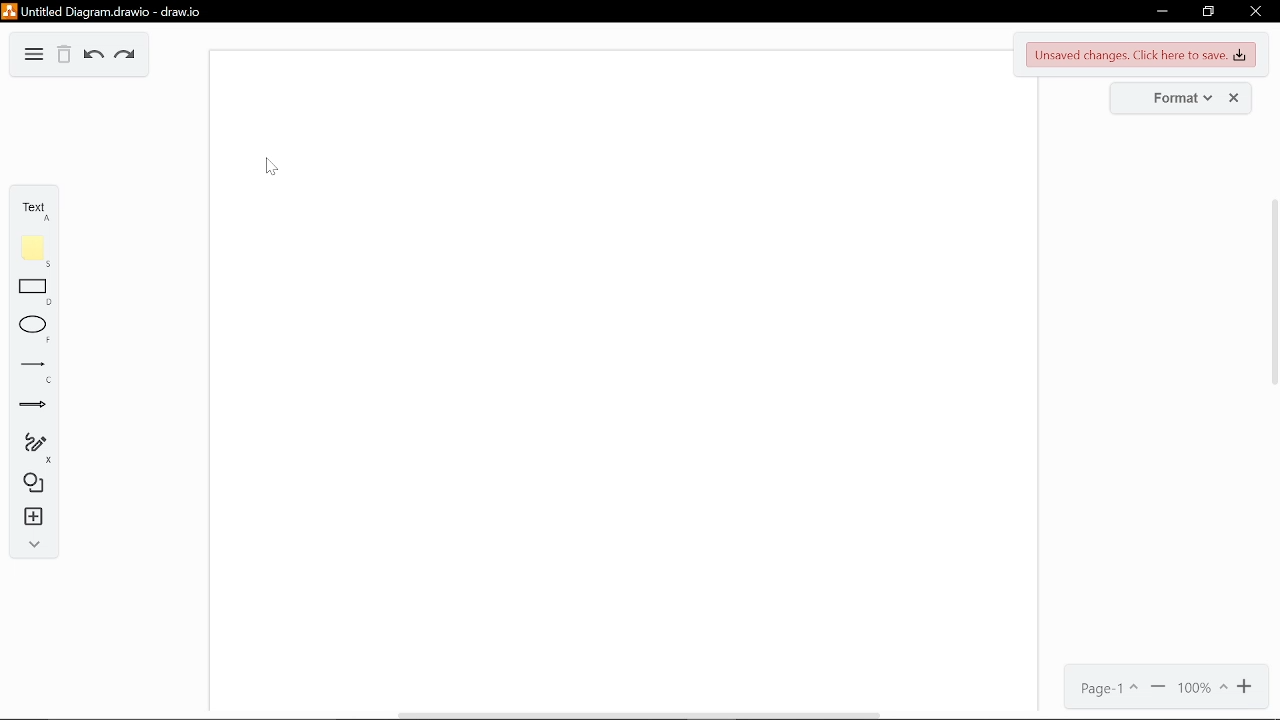 The width and height of the screenshot is (1280, 720). I want to click on current zoom, so click(1202, 689).